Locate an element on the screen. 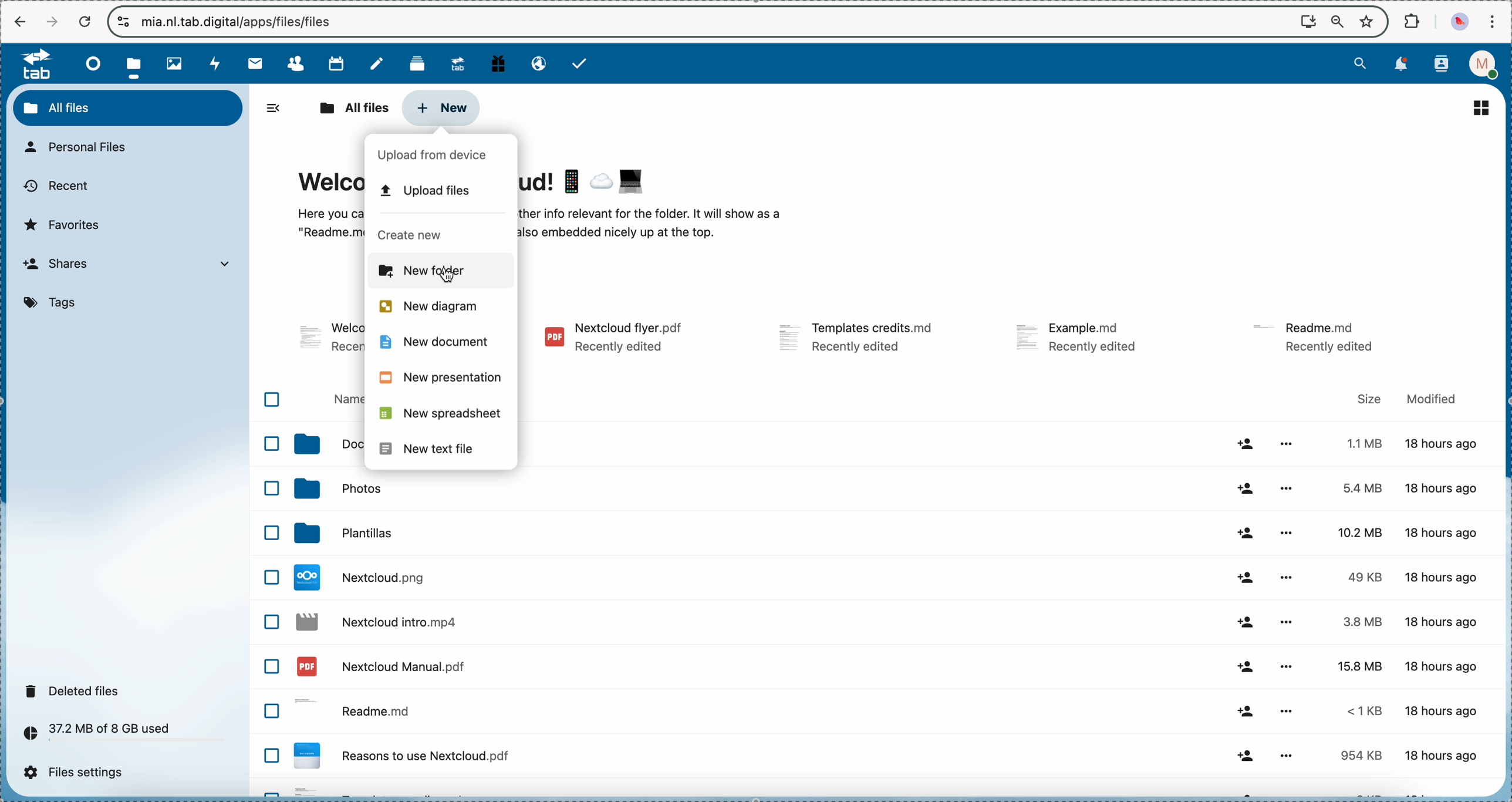 The width and height of the screenshot is (1512, 802). file is located at coordinates (751, 577).